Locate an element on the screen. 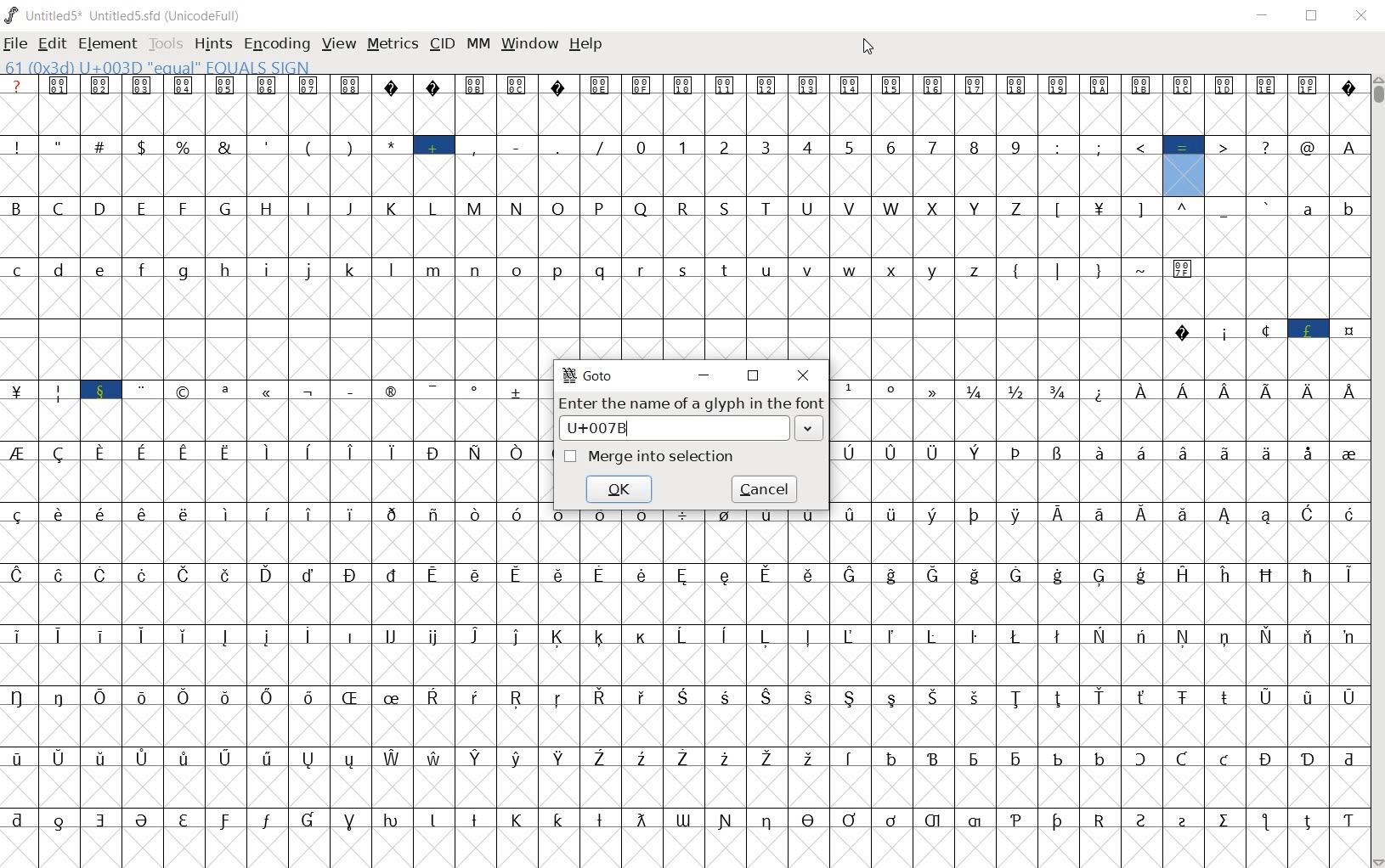 The image size is (1385, 868). close is located at coordinates (1363, 13).